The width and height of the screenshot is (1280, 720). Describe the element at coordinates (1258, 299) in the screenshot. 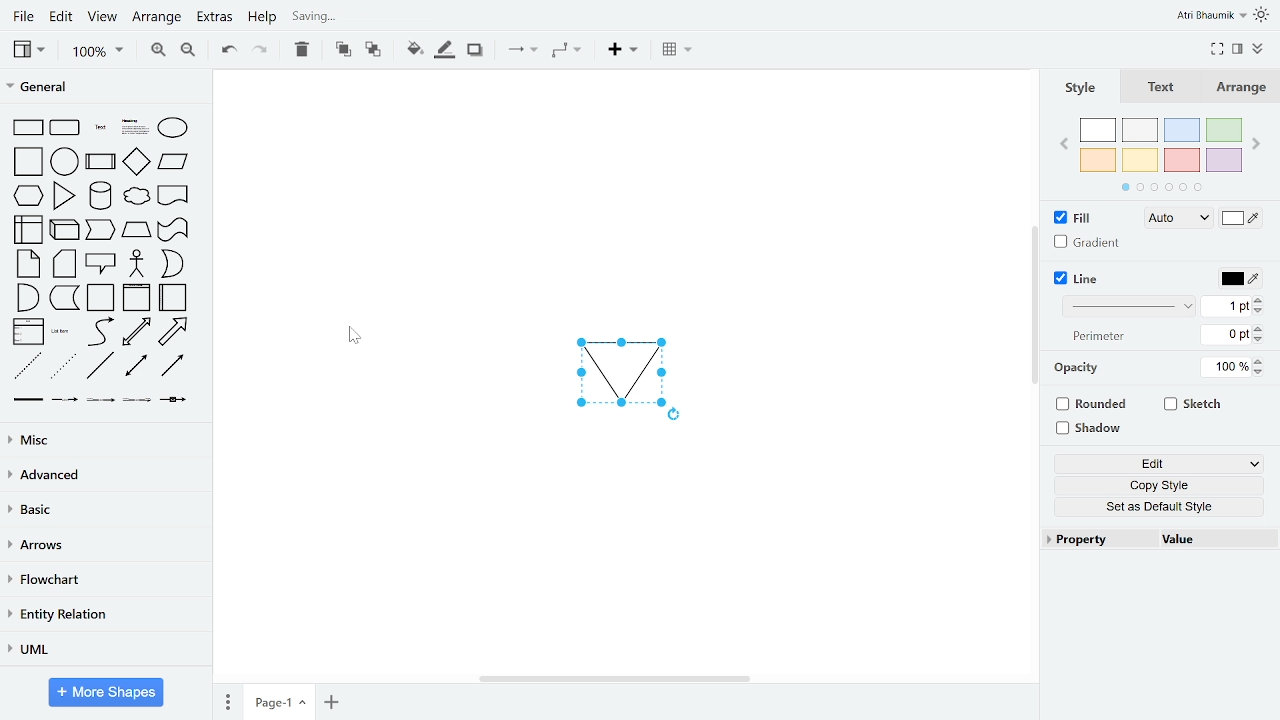

I see `increase line width` at that location.